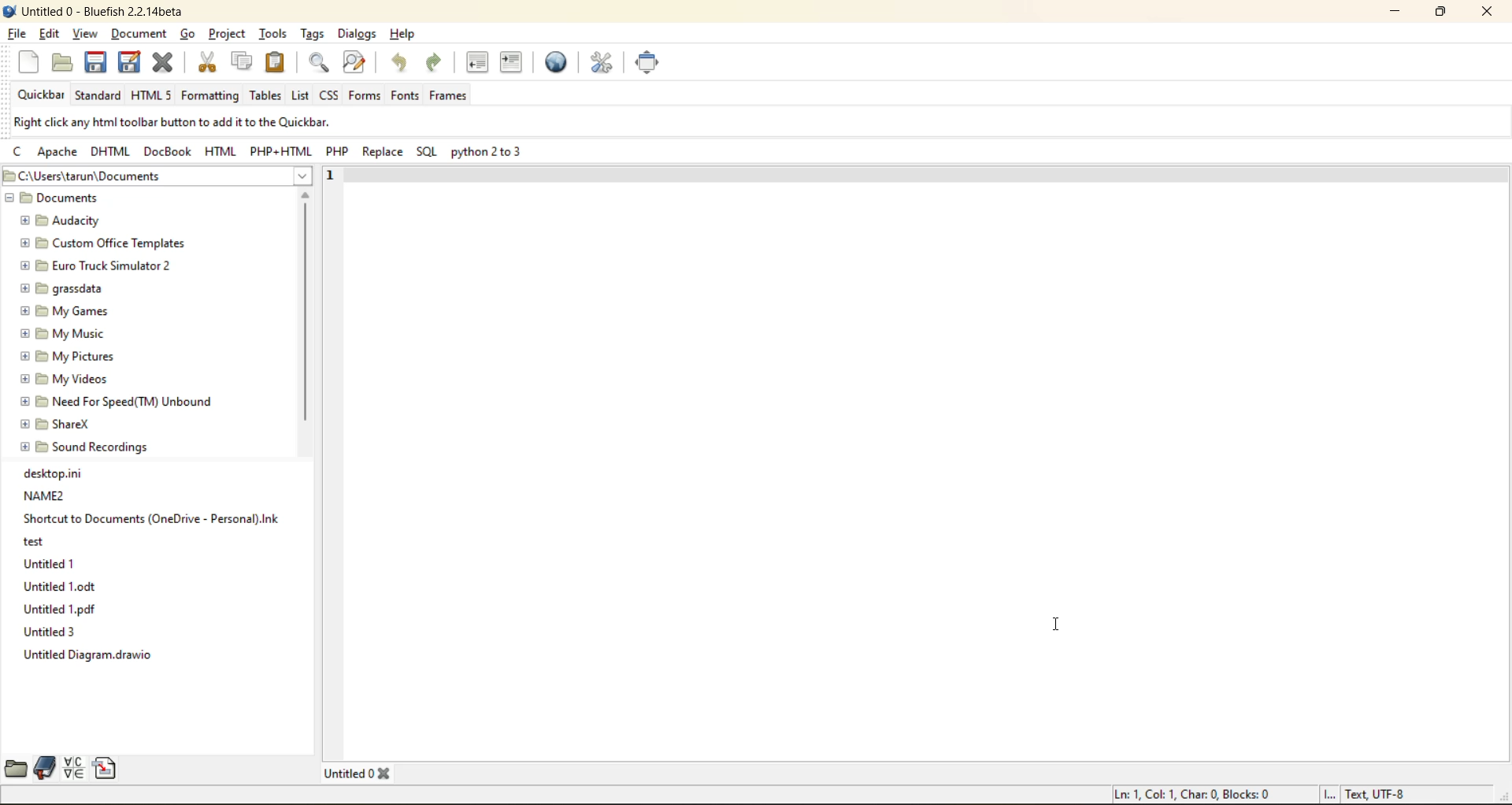  I want to click on forms, so click(363, 95).